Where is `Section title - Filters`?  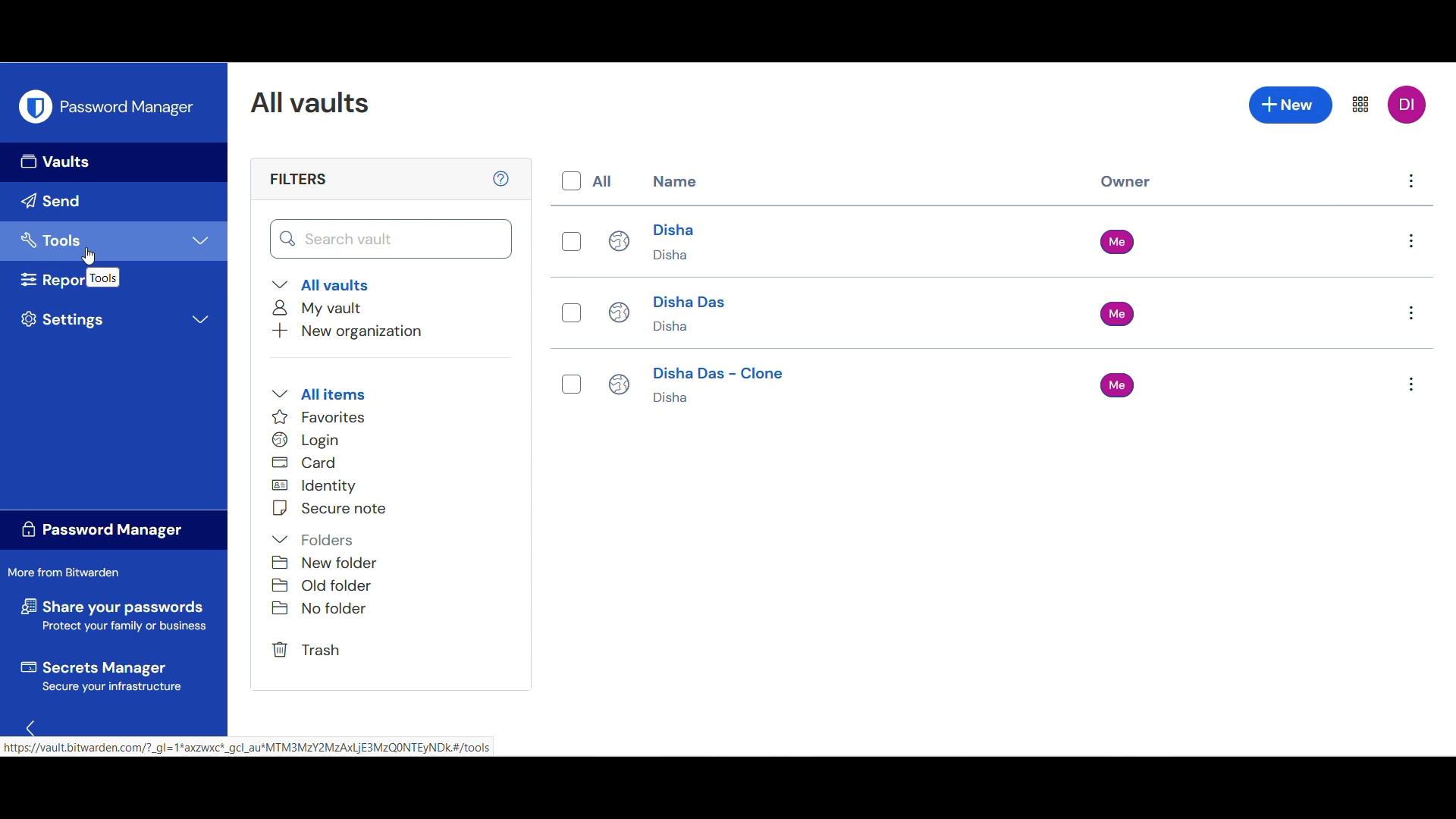 Section title - Filters is located at coordinates (298, 179).